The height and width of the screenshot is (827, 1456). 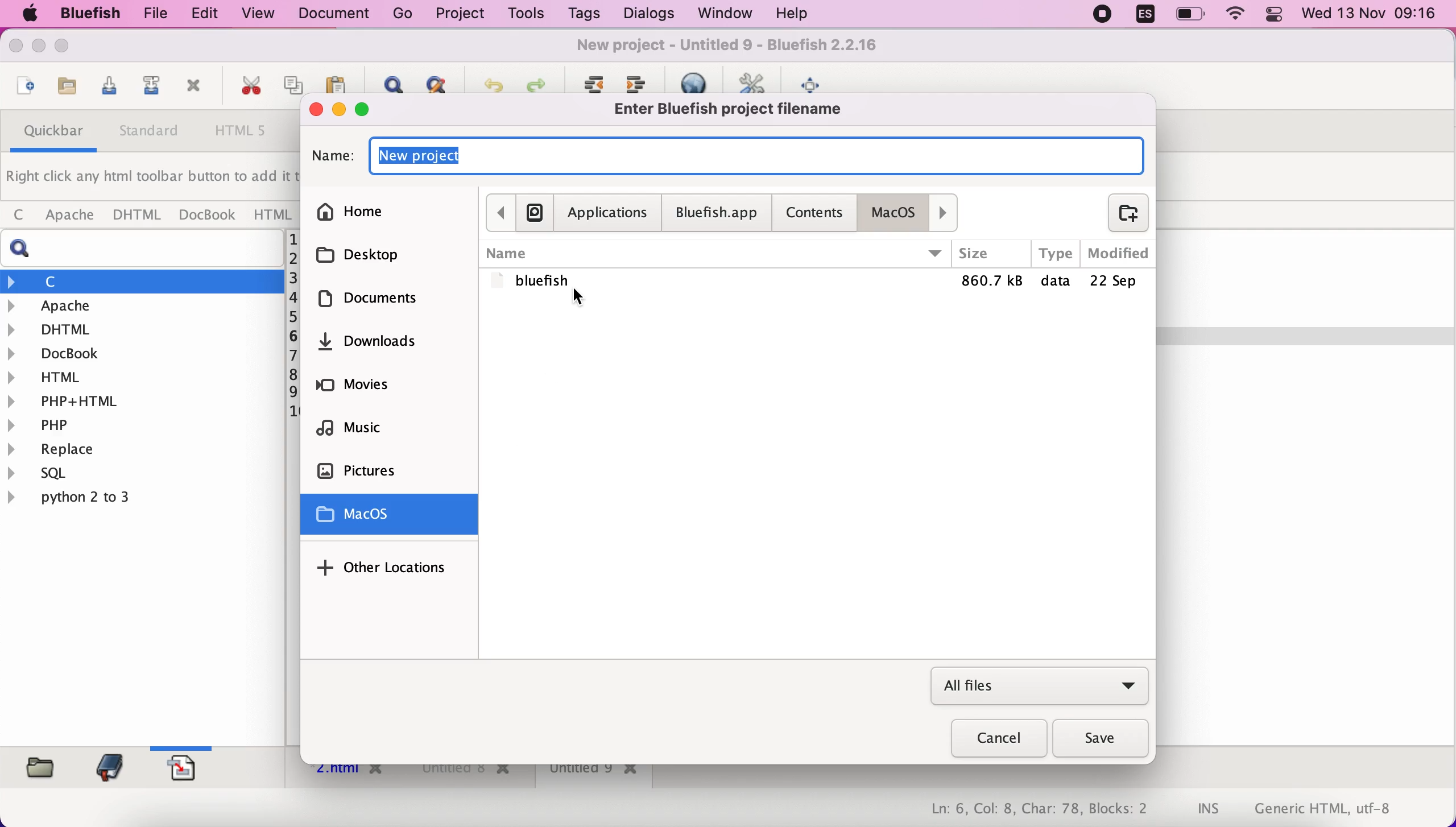 I want to click on edit, so click(x=199, y=14).